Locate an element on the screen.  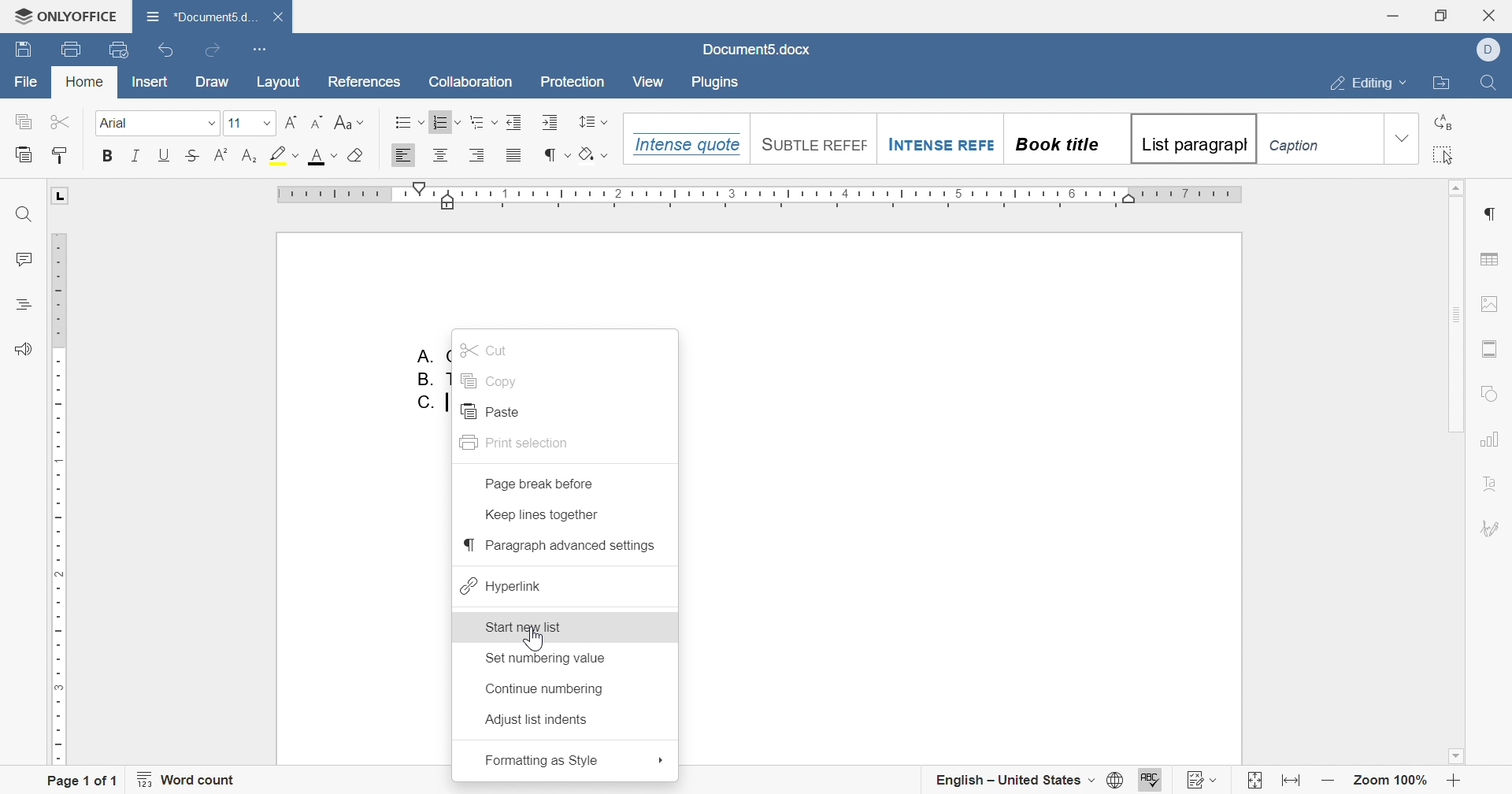
zoom 100% is located at coordinates (1390, 782).